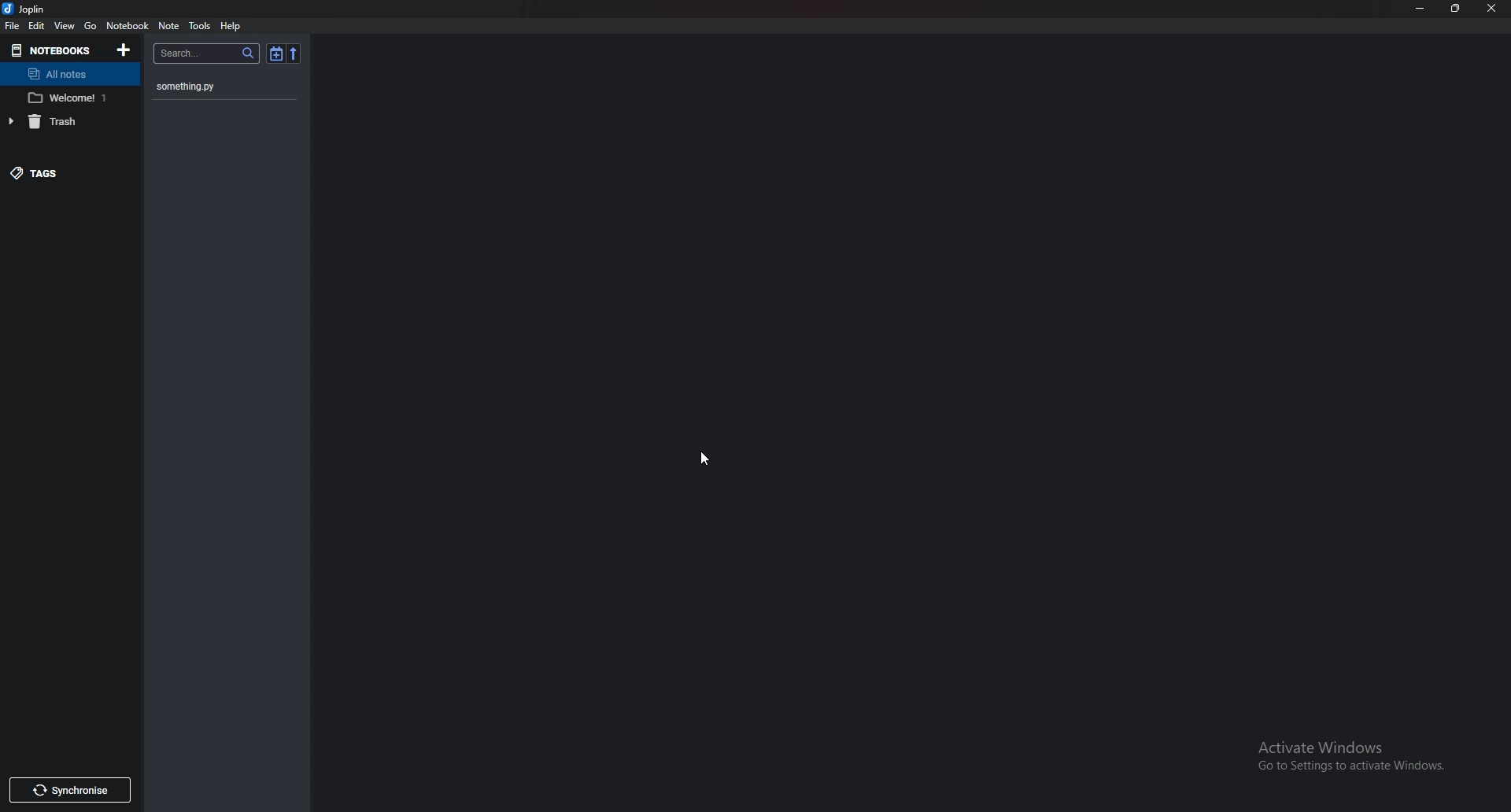 The height and width of the screenshot is (812, 1511). I want to click on Reverse sort order, so click(294, 52).